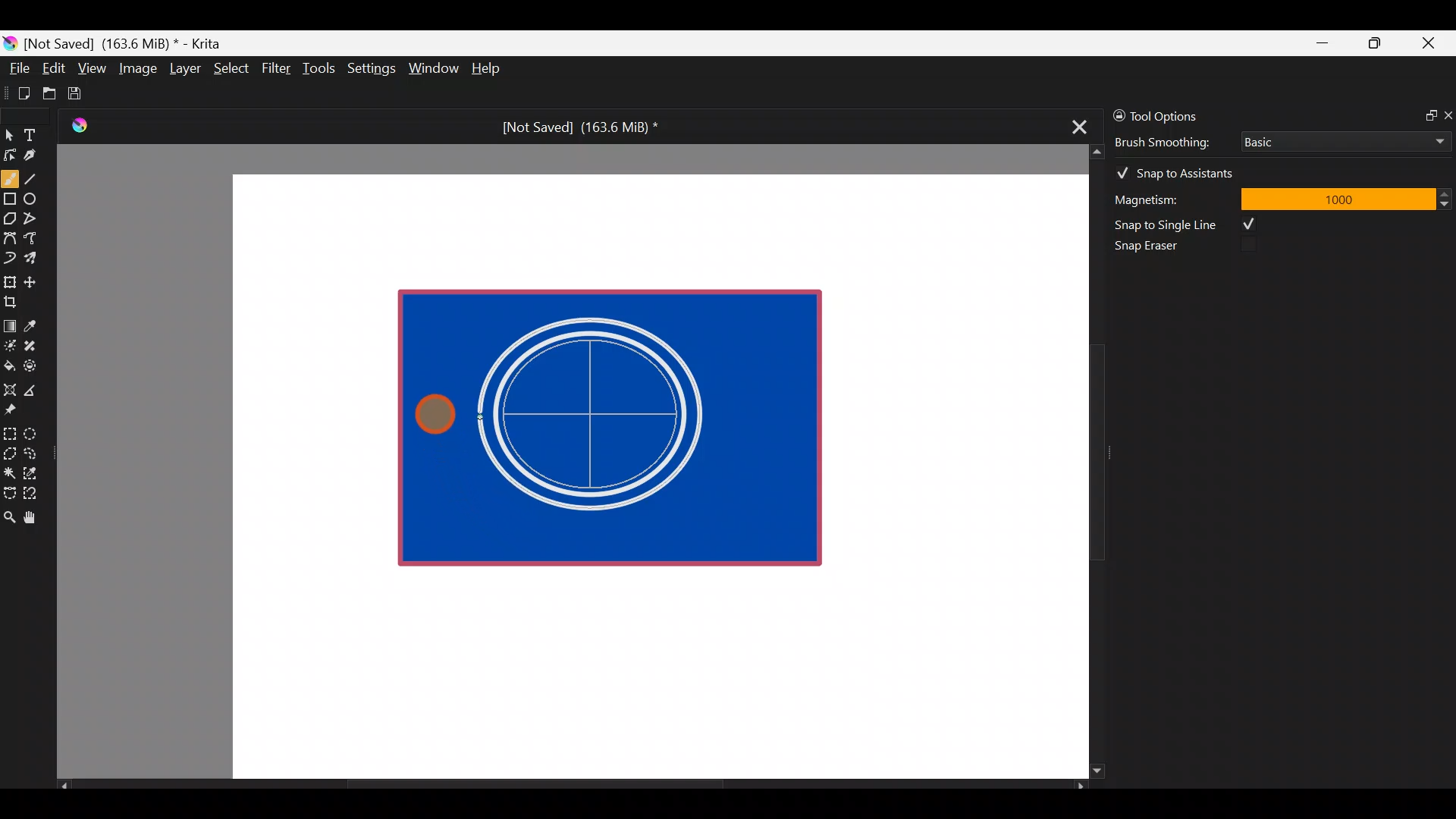 This screenshot has width=1456, height=819. Describe the element at coordinates (40, 177) in the screenshot. I see `Line tool` at that location.